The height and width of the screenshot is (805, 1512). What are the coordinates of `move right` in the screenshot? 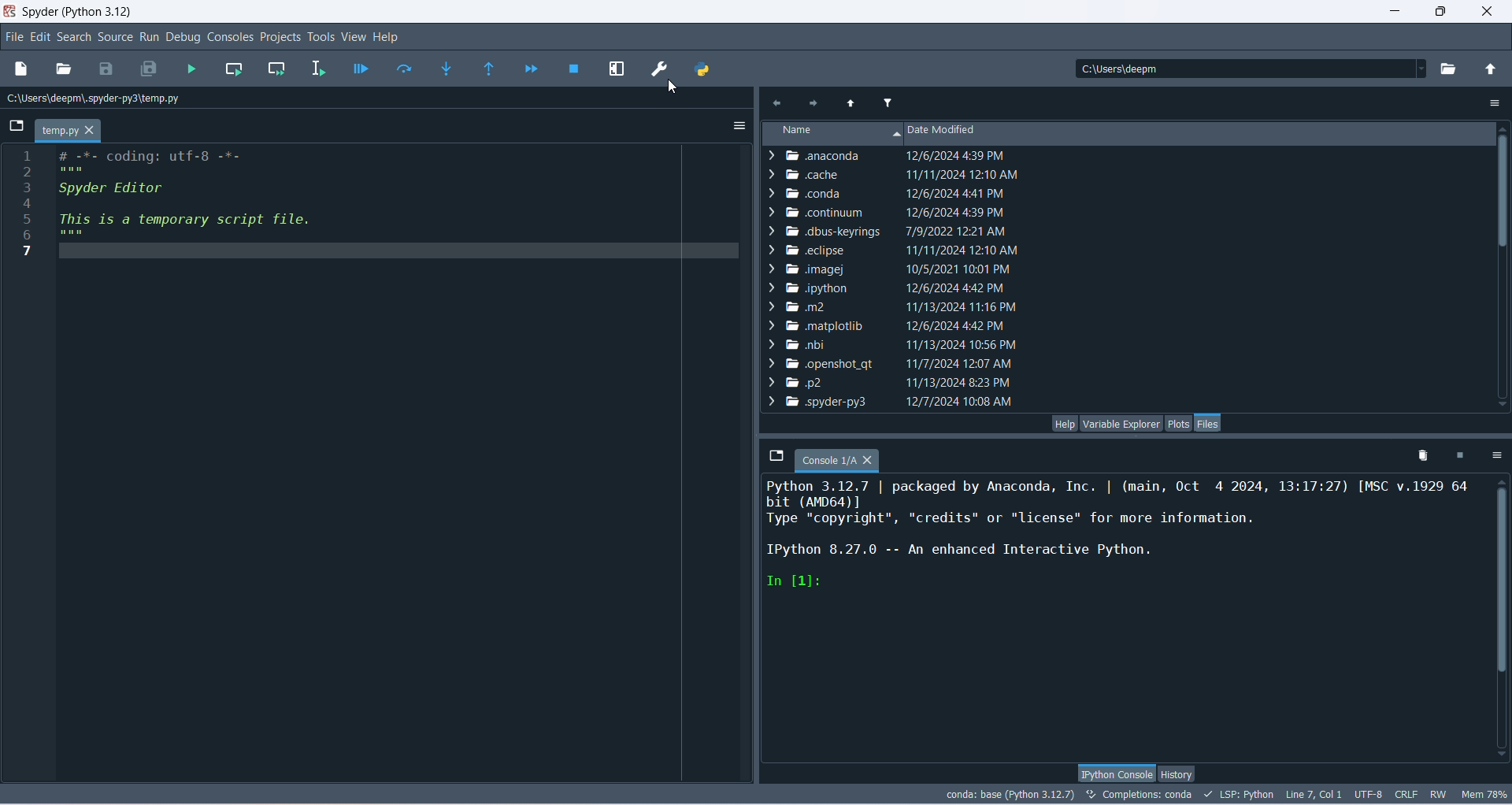 It's located at (776, 102).